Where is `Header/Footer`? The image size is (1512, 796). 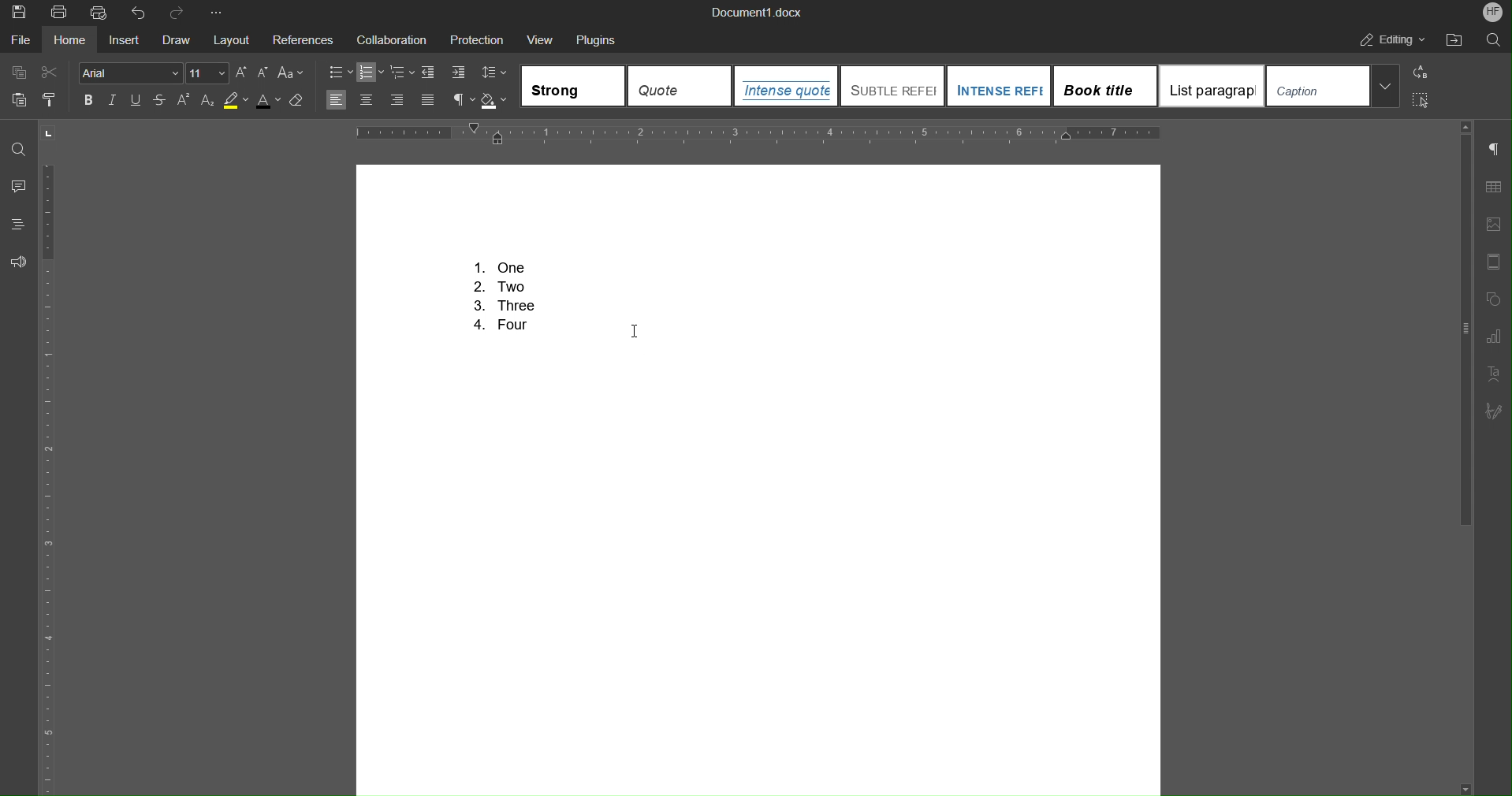
Header/Footer is located at coordinates (1494, 262).